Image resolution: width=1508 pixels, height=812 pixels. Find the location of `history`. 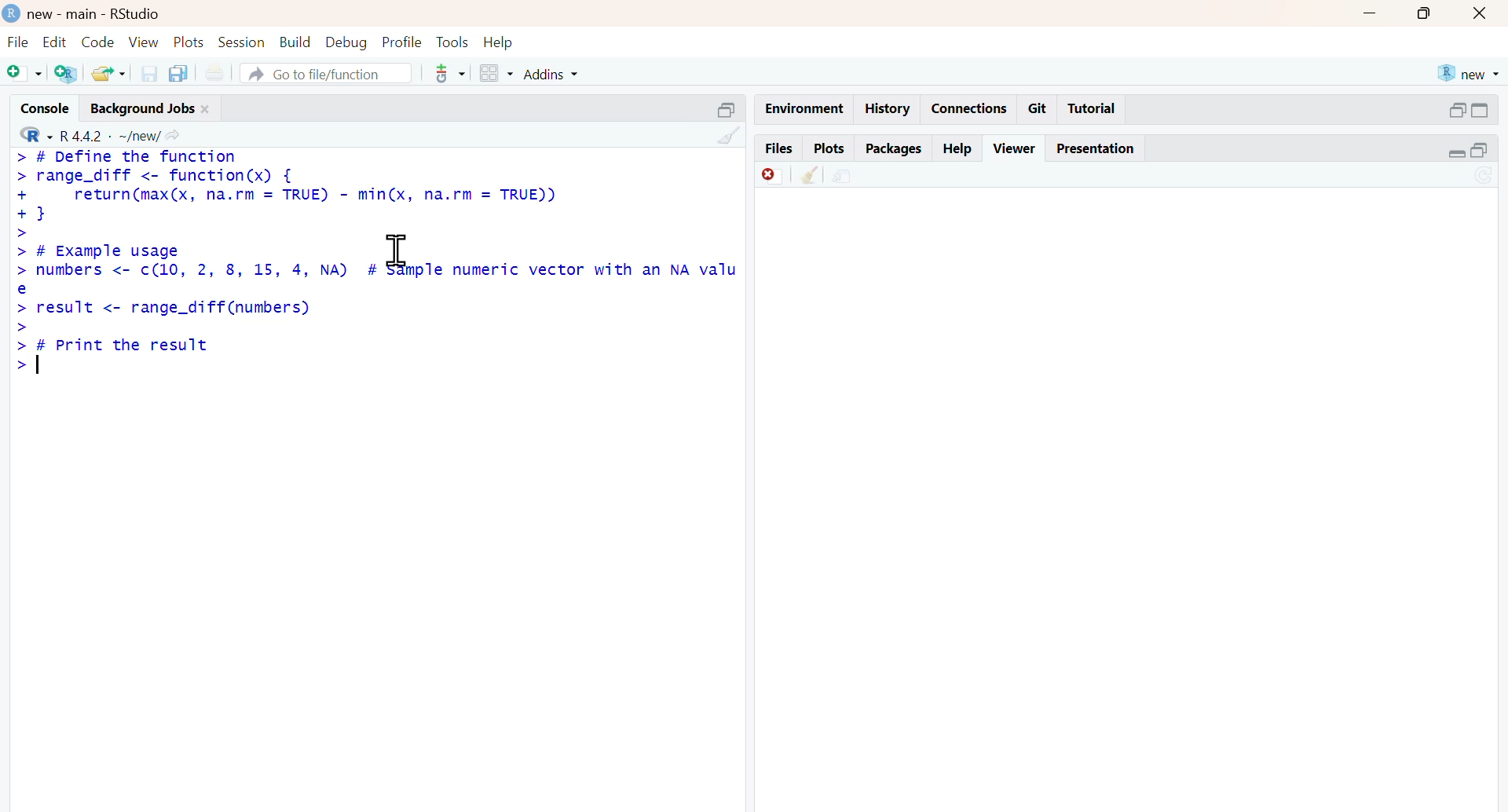

history is located at coordinates (888, 108).